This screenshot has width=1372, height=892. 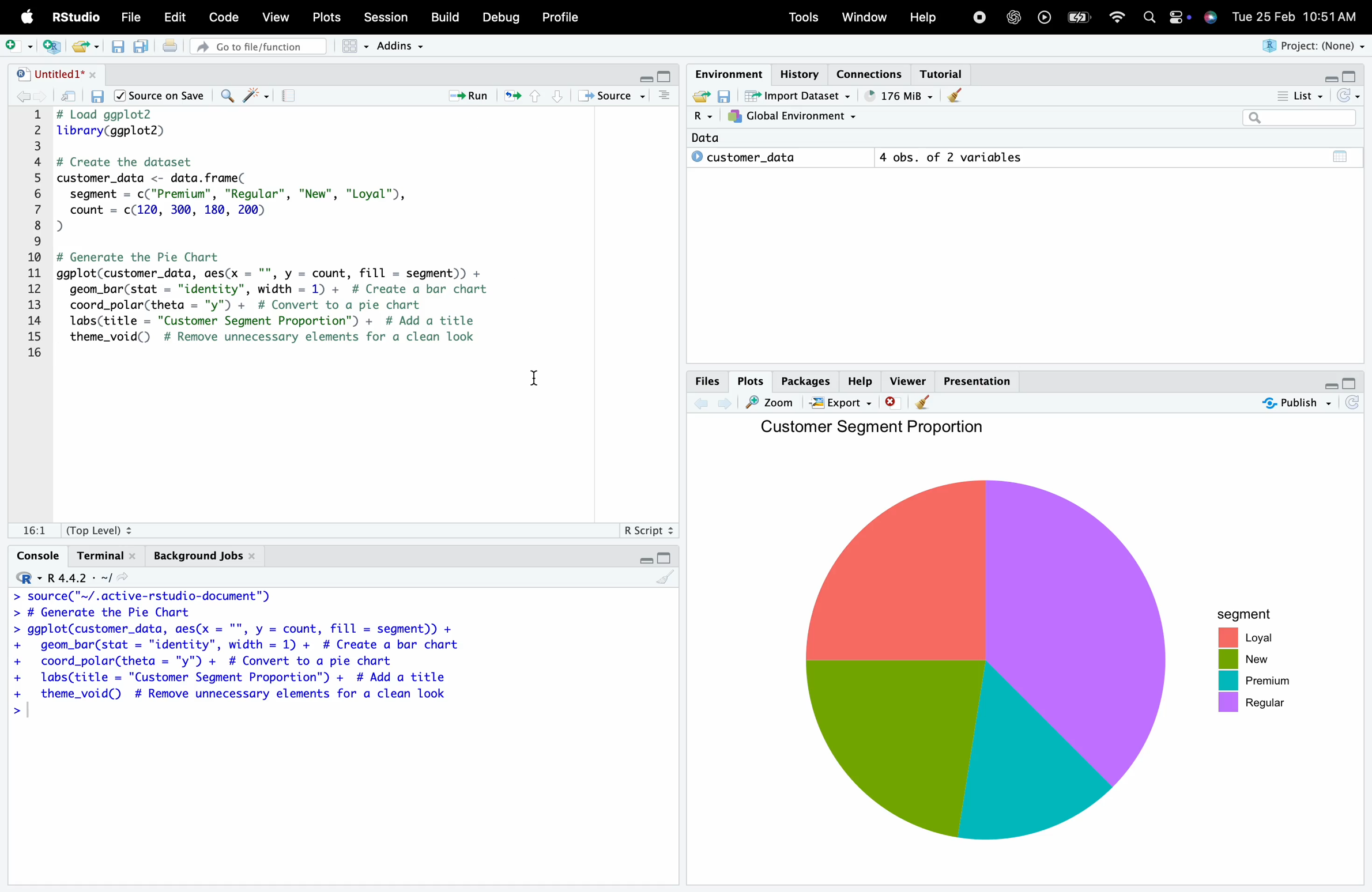 I want to click on Environment, so click(x=726, y=72).